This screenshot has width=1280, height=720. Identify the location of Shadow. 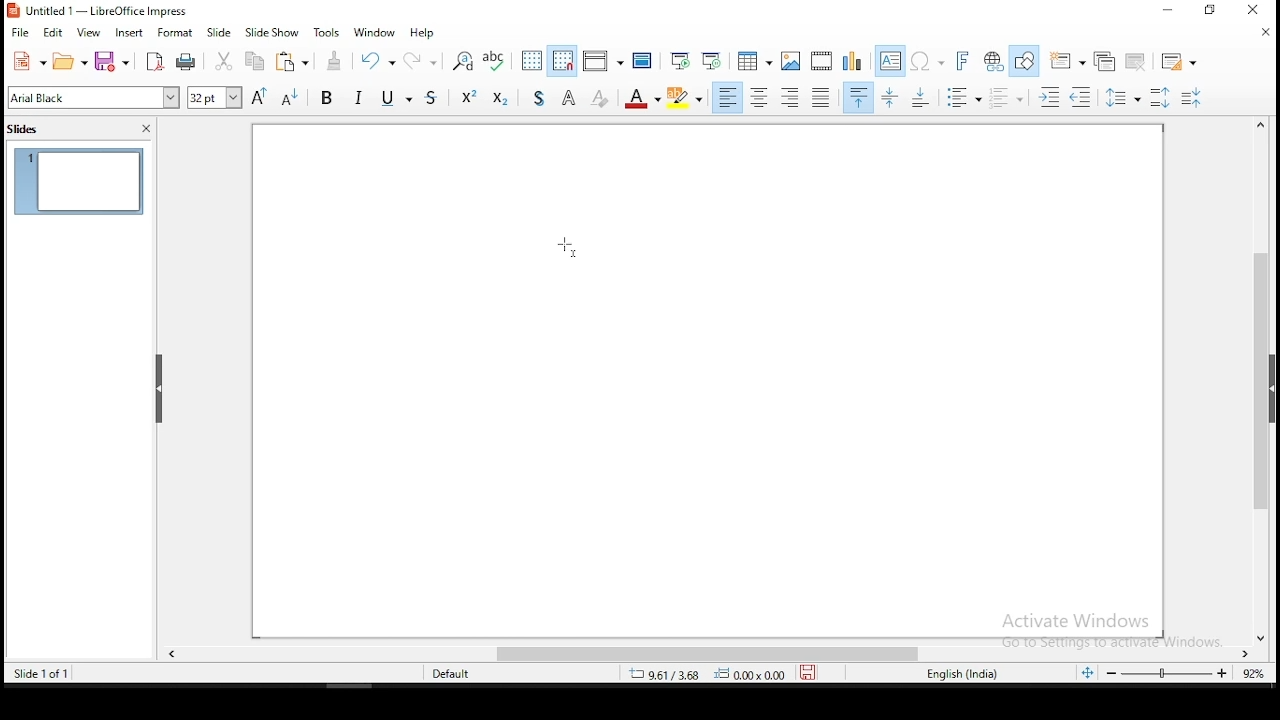
(539, 96).